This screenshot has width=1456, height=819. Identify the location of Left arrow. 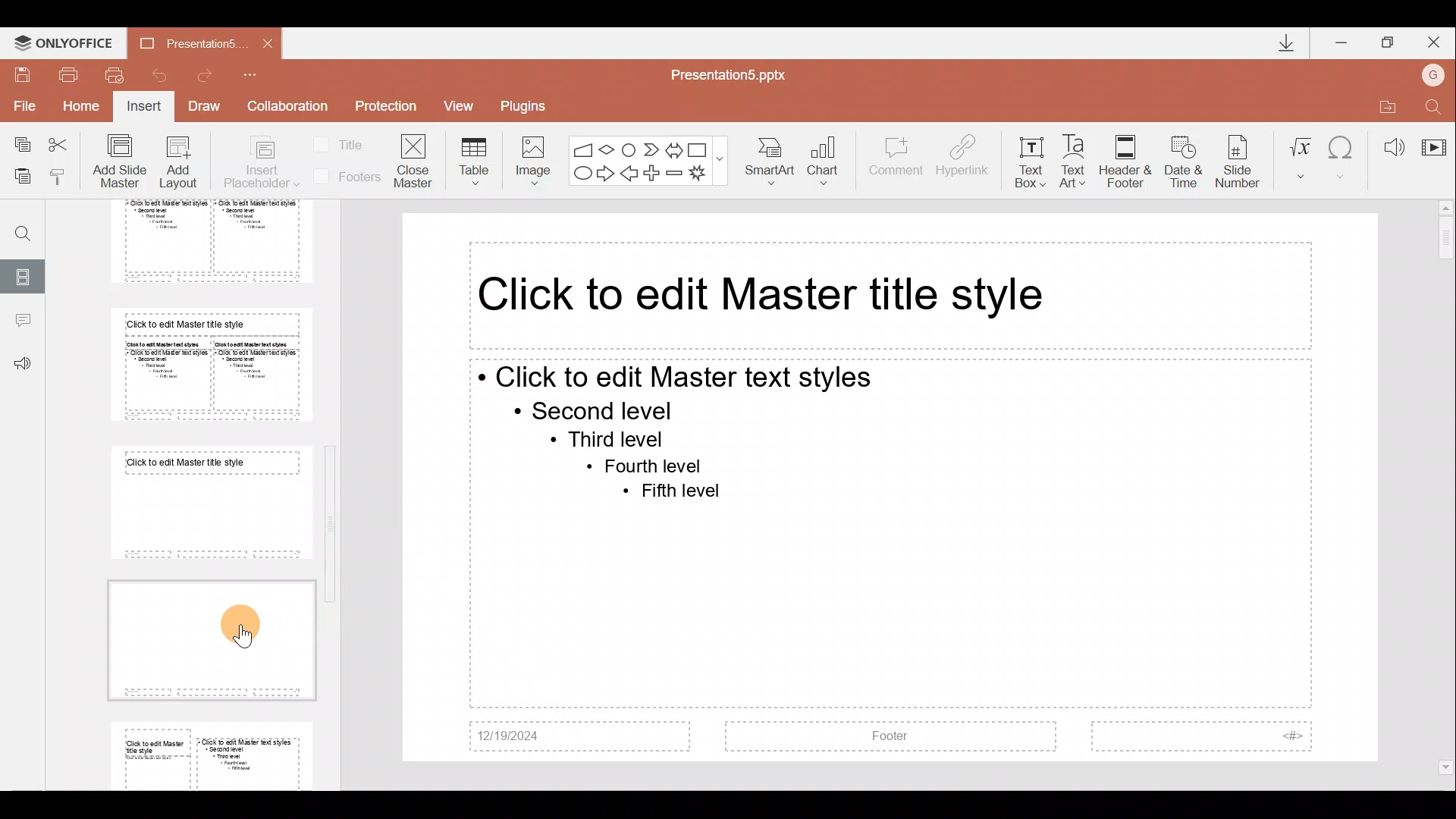
(630, 174).